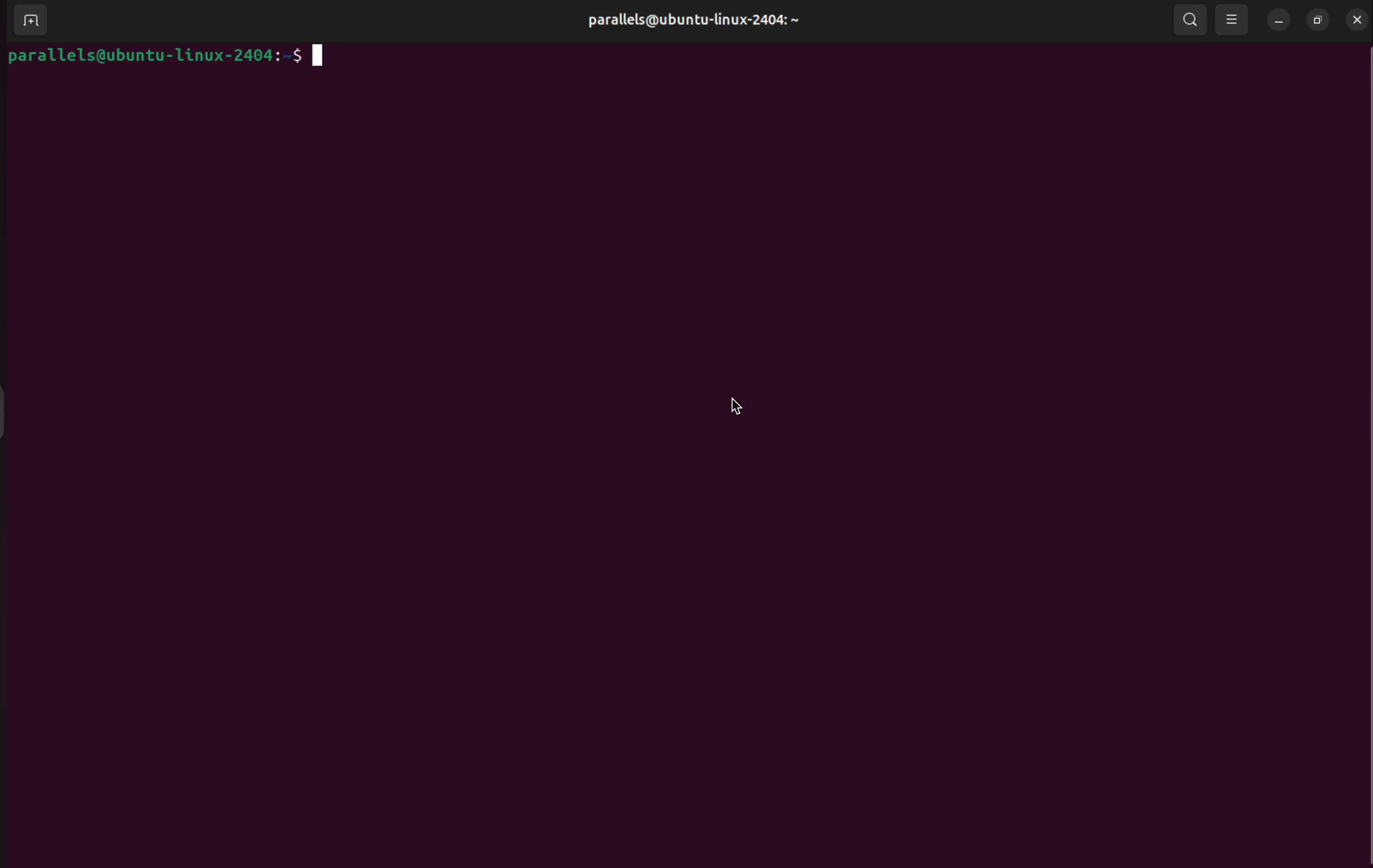 This screenshot has height=868, width=1373. Describe the element at coordinates (736, 406) in the screenshot. I see `cursor` at that location.